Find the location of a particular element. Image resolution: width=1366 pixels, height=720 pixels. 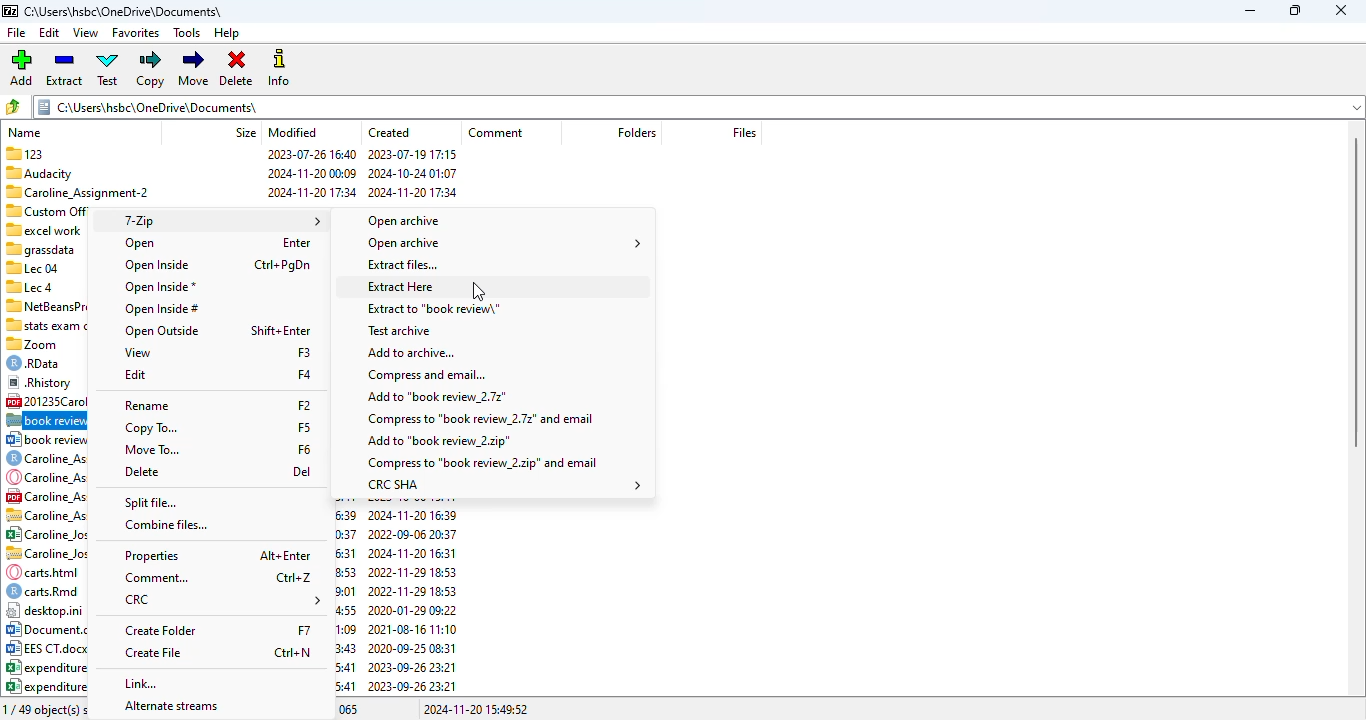

shortcut for open is located at coordinates (295, 242).